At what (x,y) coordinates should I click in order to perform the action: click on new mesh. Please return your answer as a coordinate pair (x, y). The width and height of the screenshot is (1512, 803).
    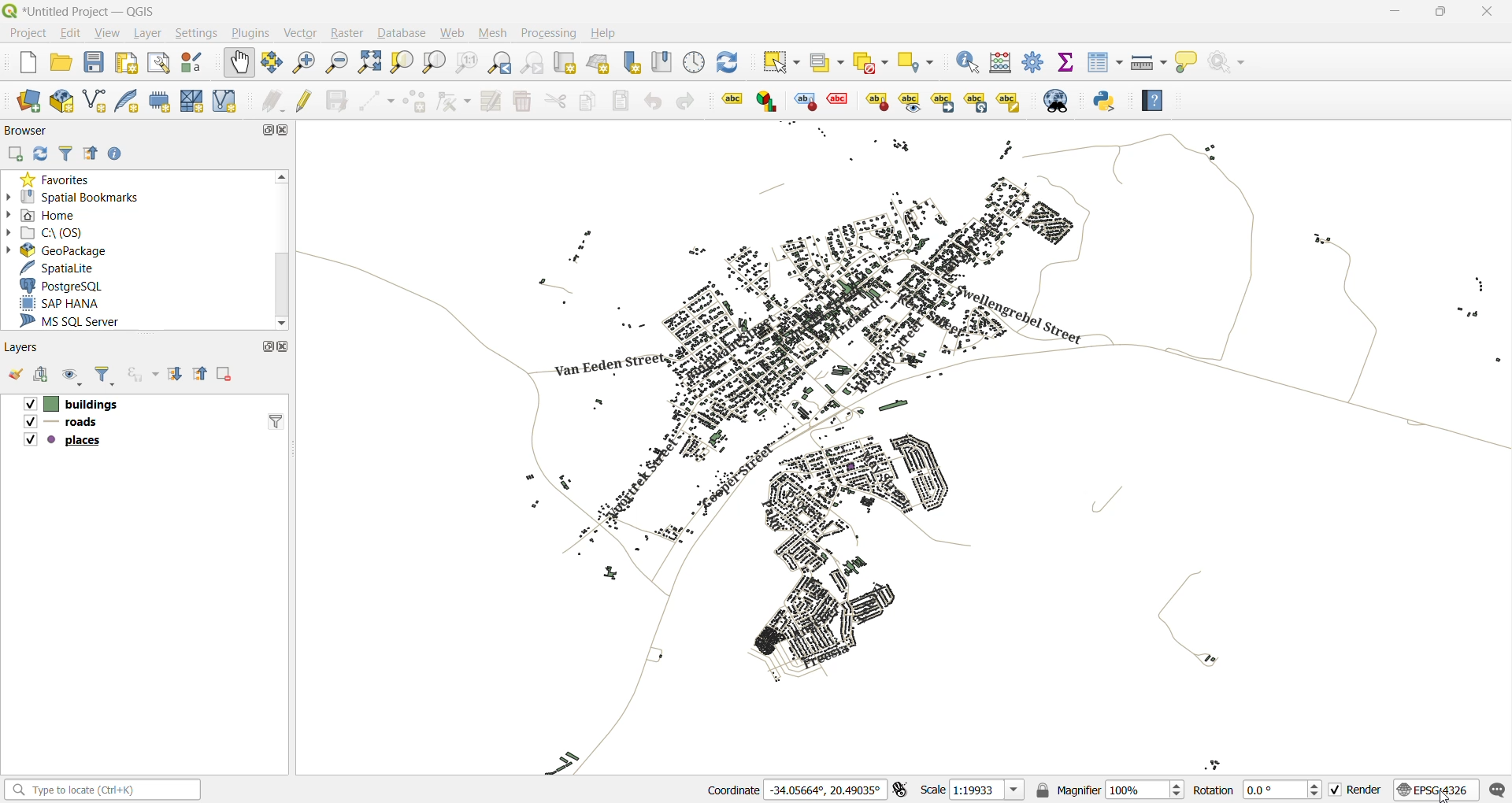
    Looking at the image, I should click on (190, 101).